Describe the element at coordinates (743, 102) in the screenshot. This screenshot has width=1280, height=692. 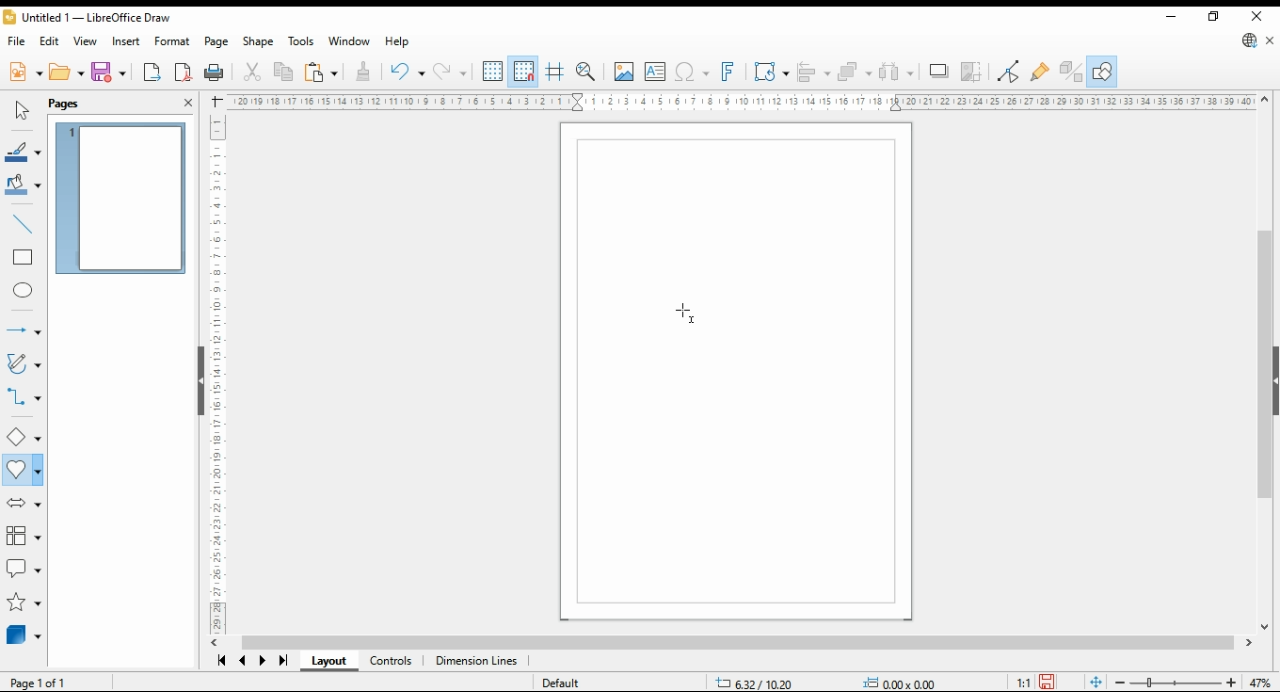
I see `Ruler` at that location.